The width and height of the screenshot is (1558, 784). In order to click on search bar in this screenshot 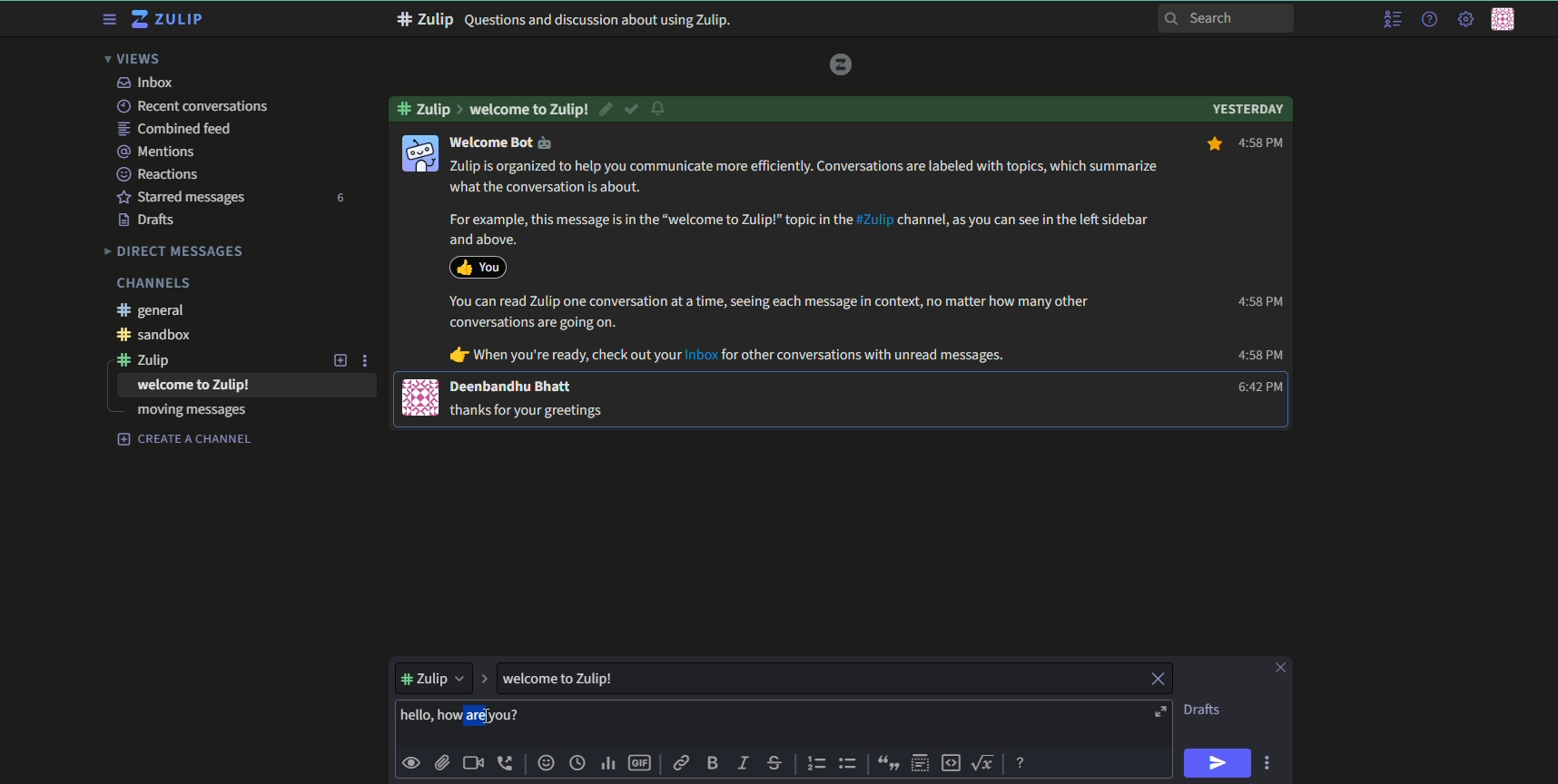, I will do `click(1227, 17)`.